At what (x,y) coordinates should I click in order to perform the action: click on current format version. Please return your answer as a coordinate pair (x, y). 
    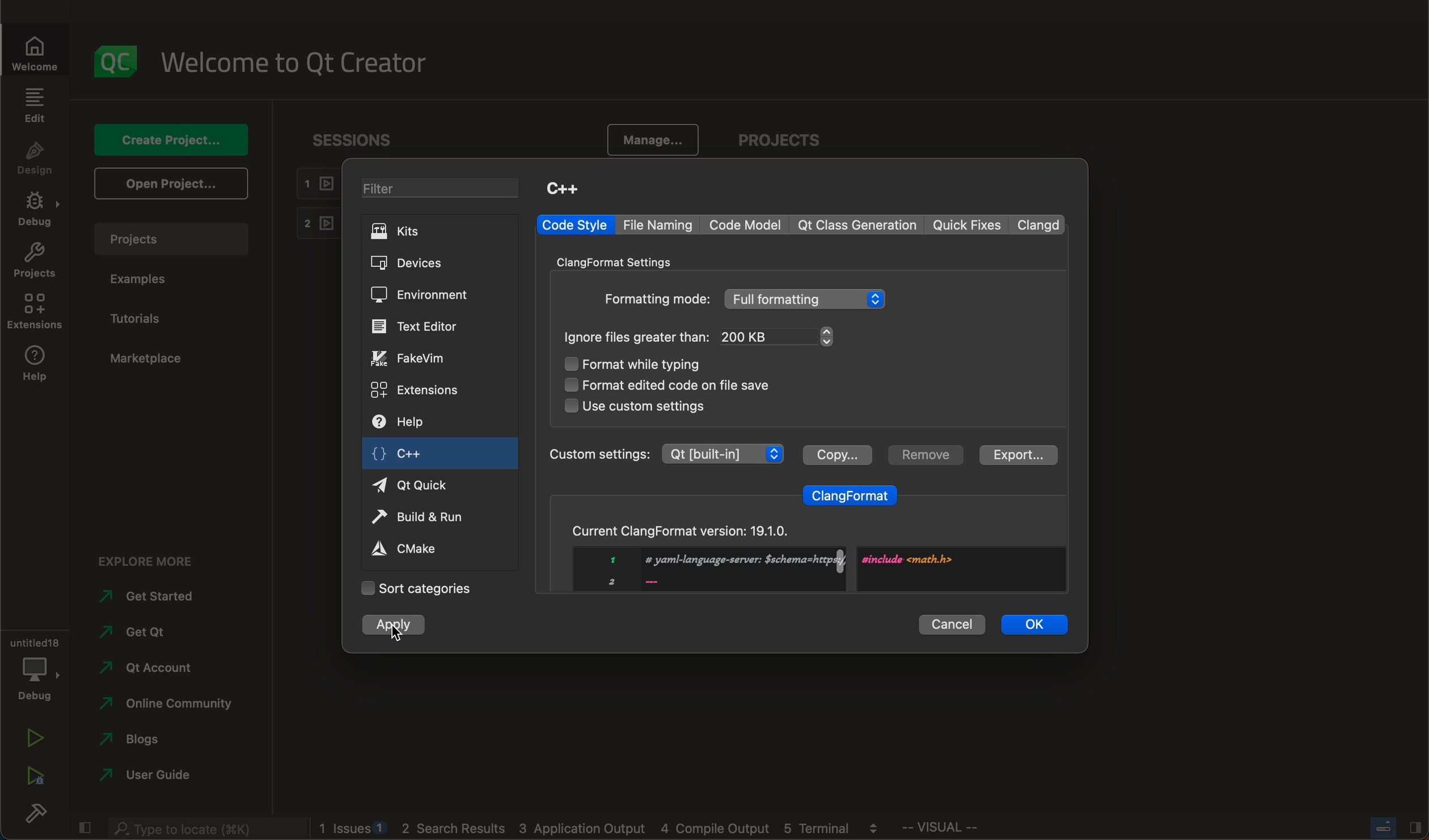
    Looking at the image, I should click on (804, 551).